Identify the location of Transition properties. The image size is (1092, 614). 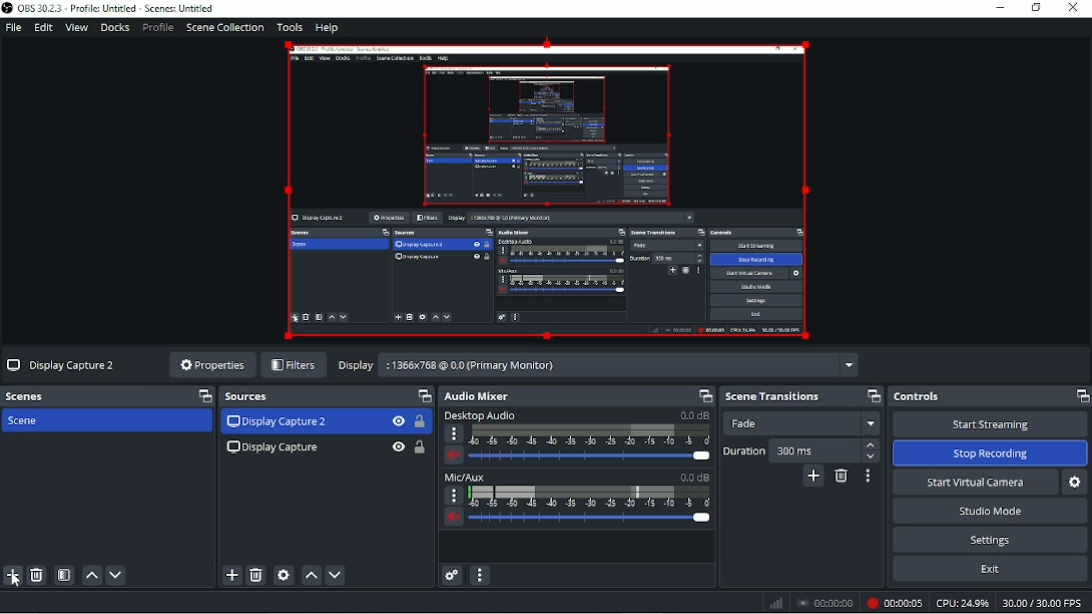
(868, 476).